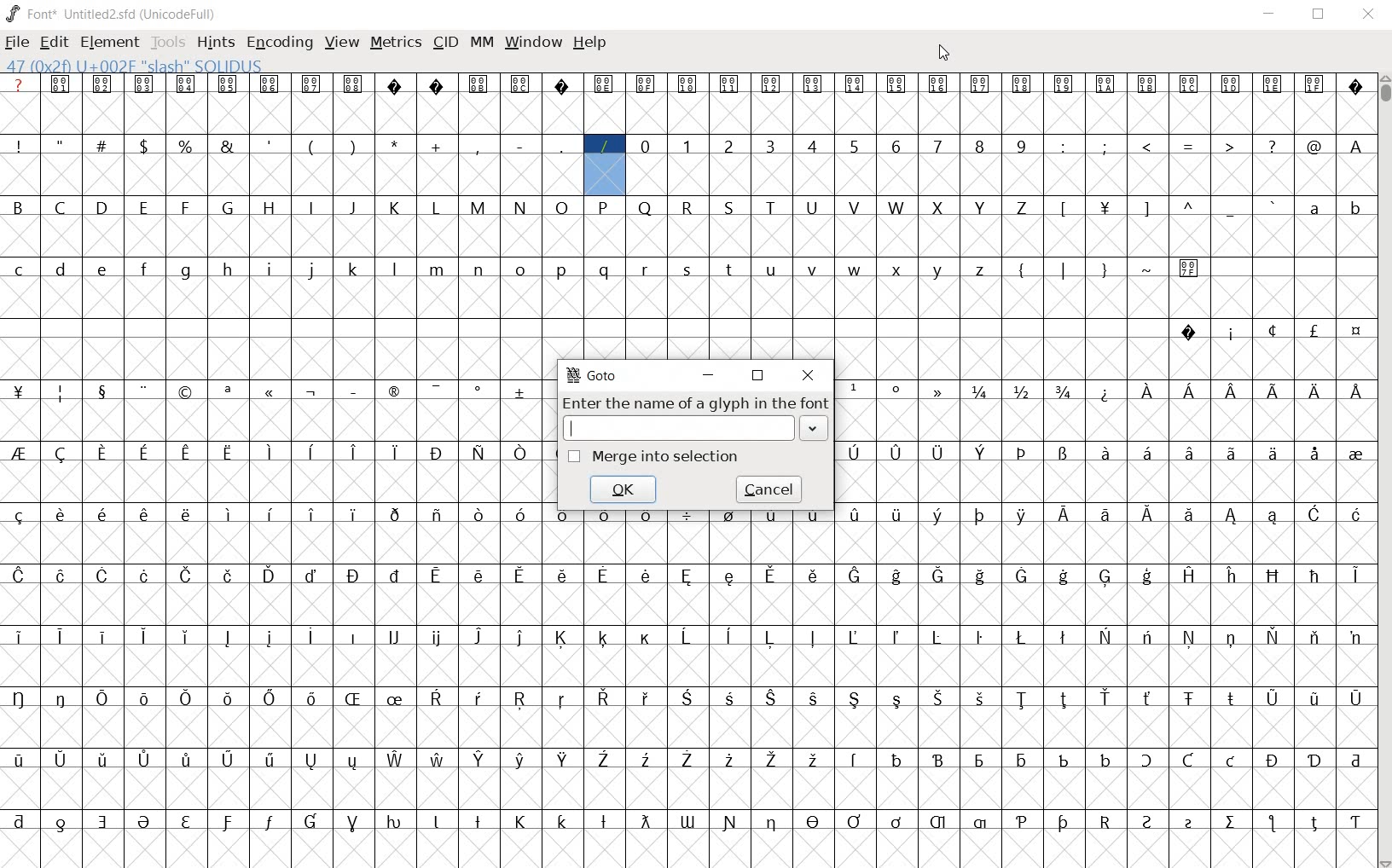 Image resolution: width=1392 pixels, height=868 pixels. I want to click on glyph, so click(1189, 760).